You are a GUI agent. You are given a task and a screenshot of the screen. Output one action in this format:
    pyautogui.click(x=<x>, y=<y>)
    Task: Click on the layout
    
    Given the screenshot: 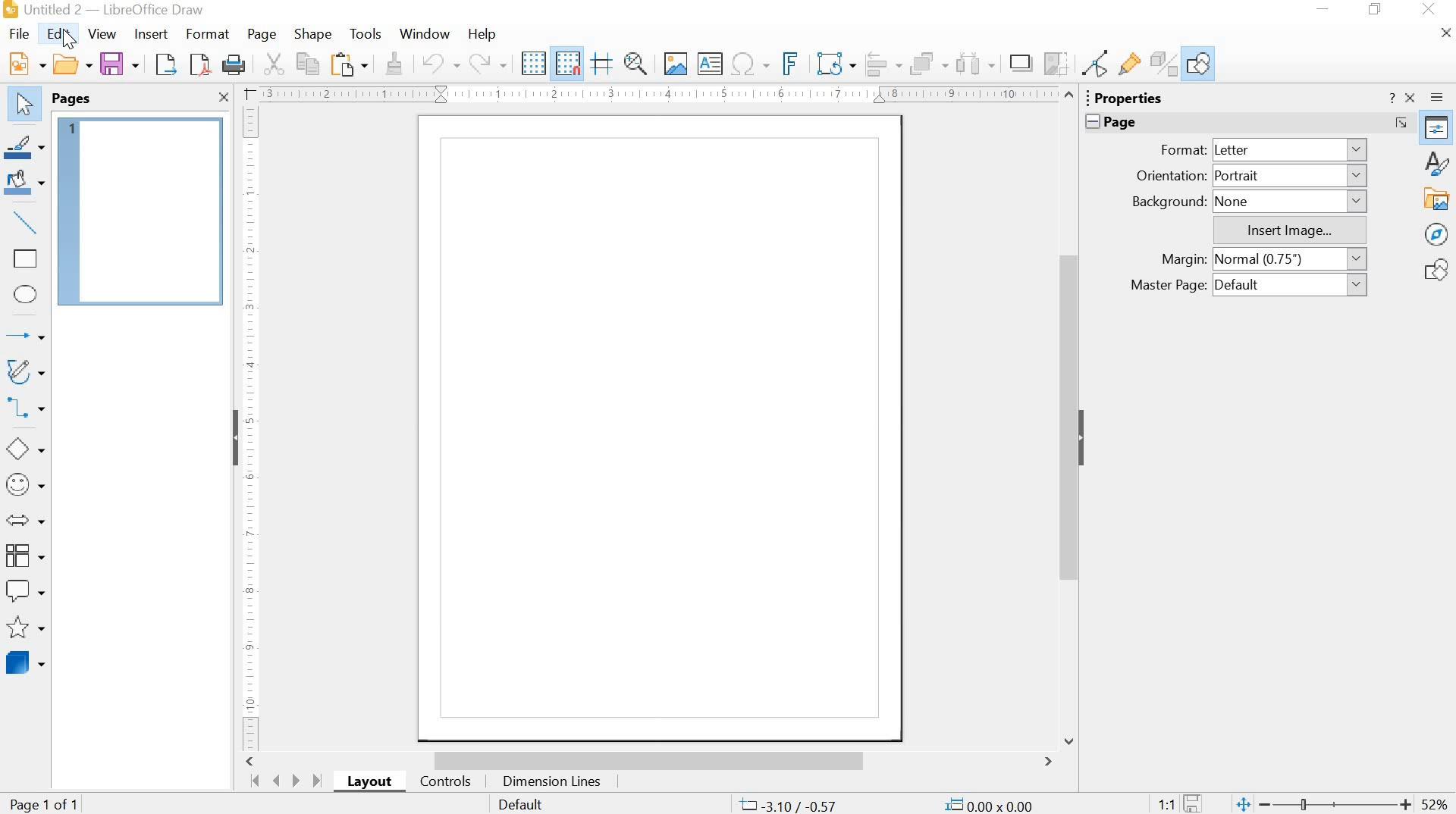 What is the action you would take?
    pyautogui.click(x=372, y=783)
    